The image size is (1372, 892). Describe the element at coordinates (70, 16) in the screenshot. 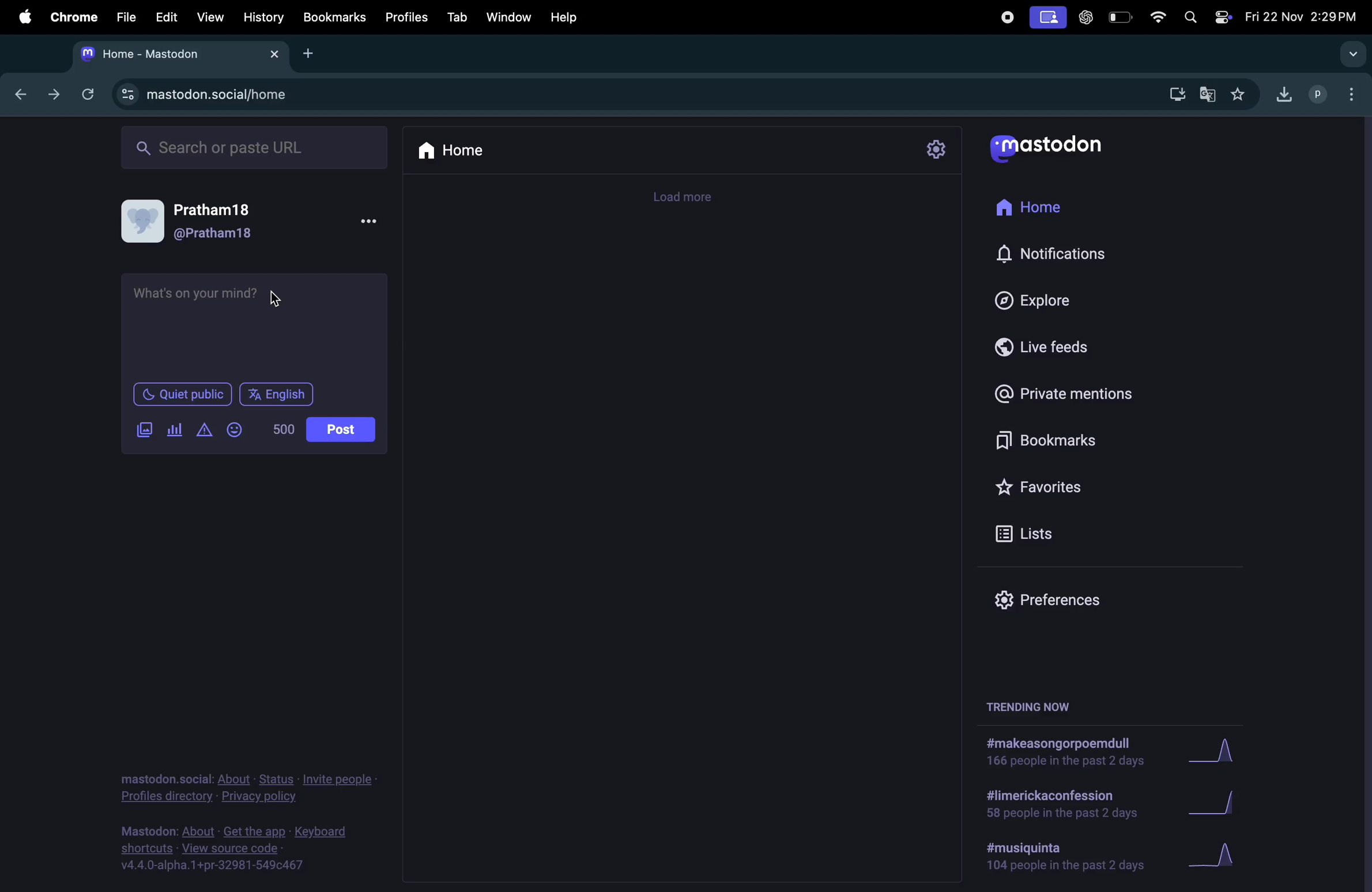

I see `chrome` at that location.